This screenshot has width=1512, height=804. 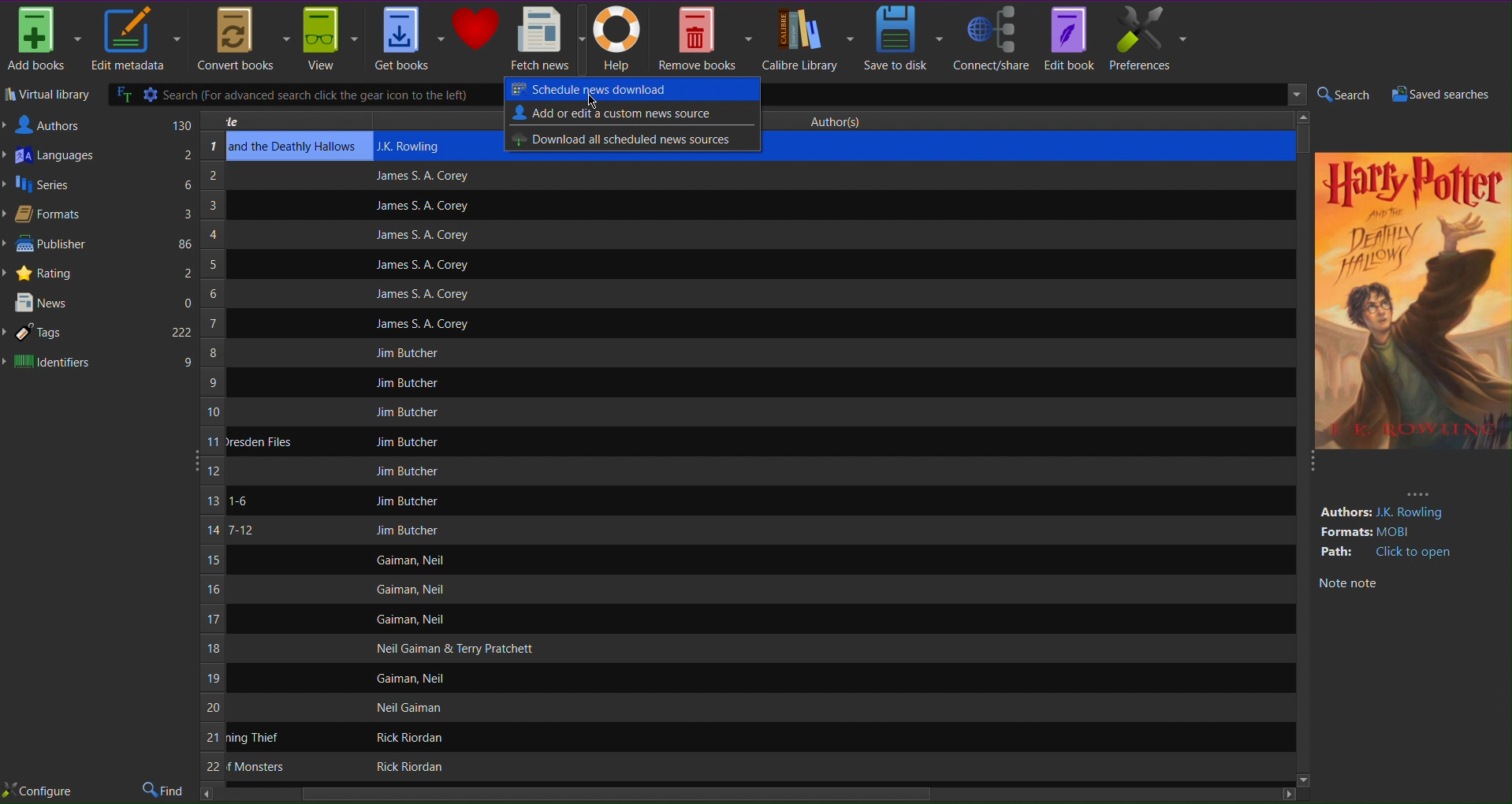 I want to click on Drop down, so click(x=1293, y=95).